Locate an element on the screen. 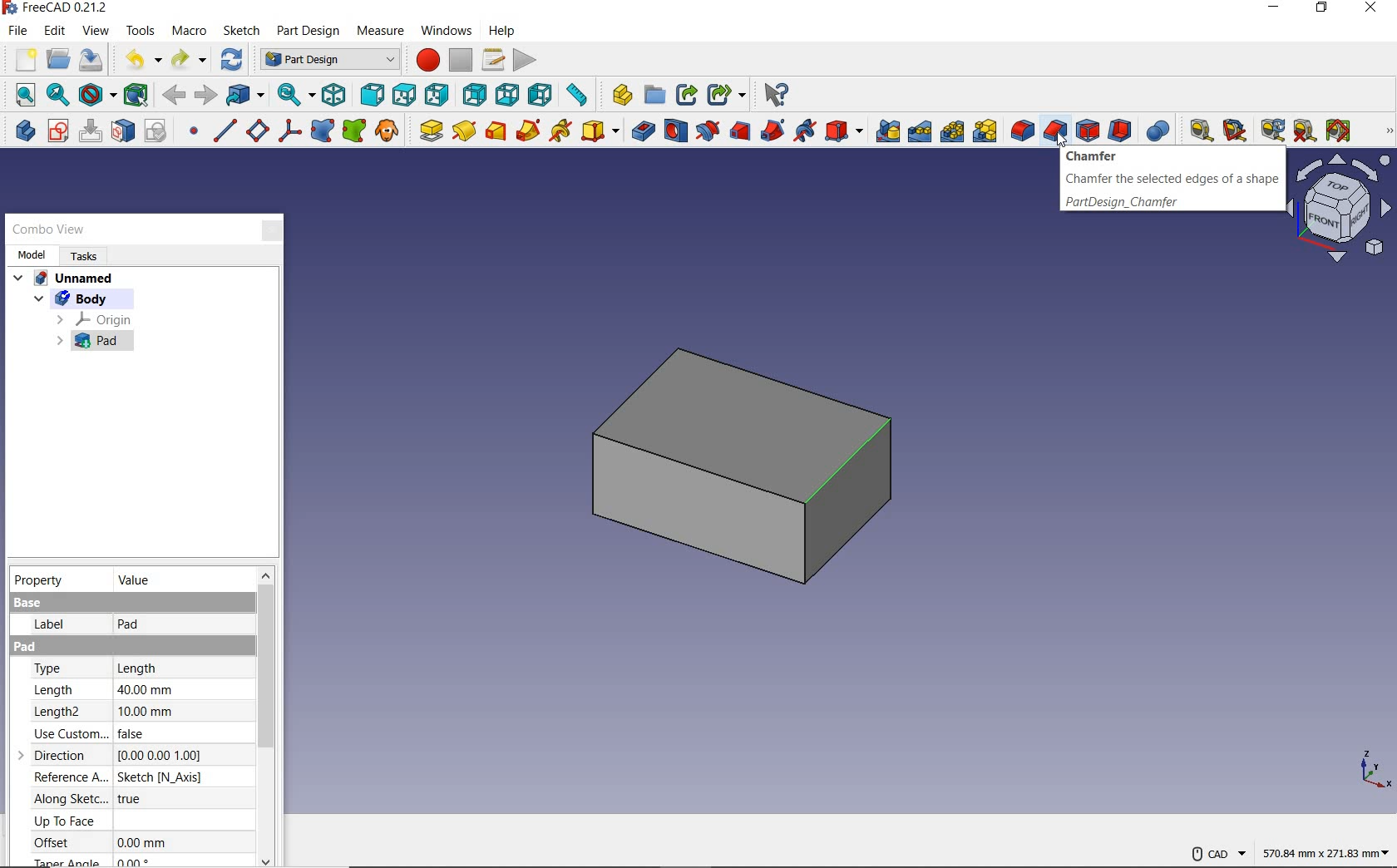 Image resolution: width=1397 pixels, height=868 pixels. revolution is located at coordinates (465, 131).